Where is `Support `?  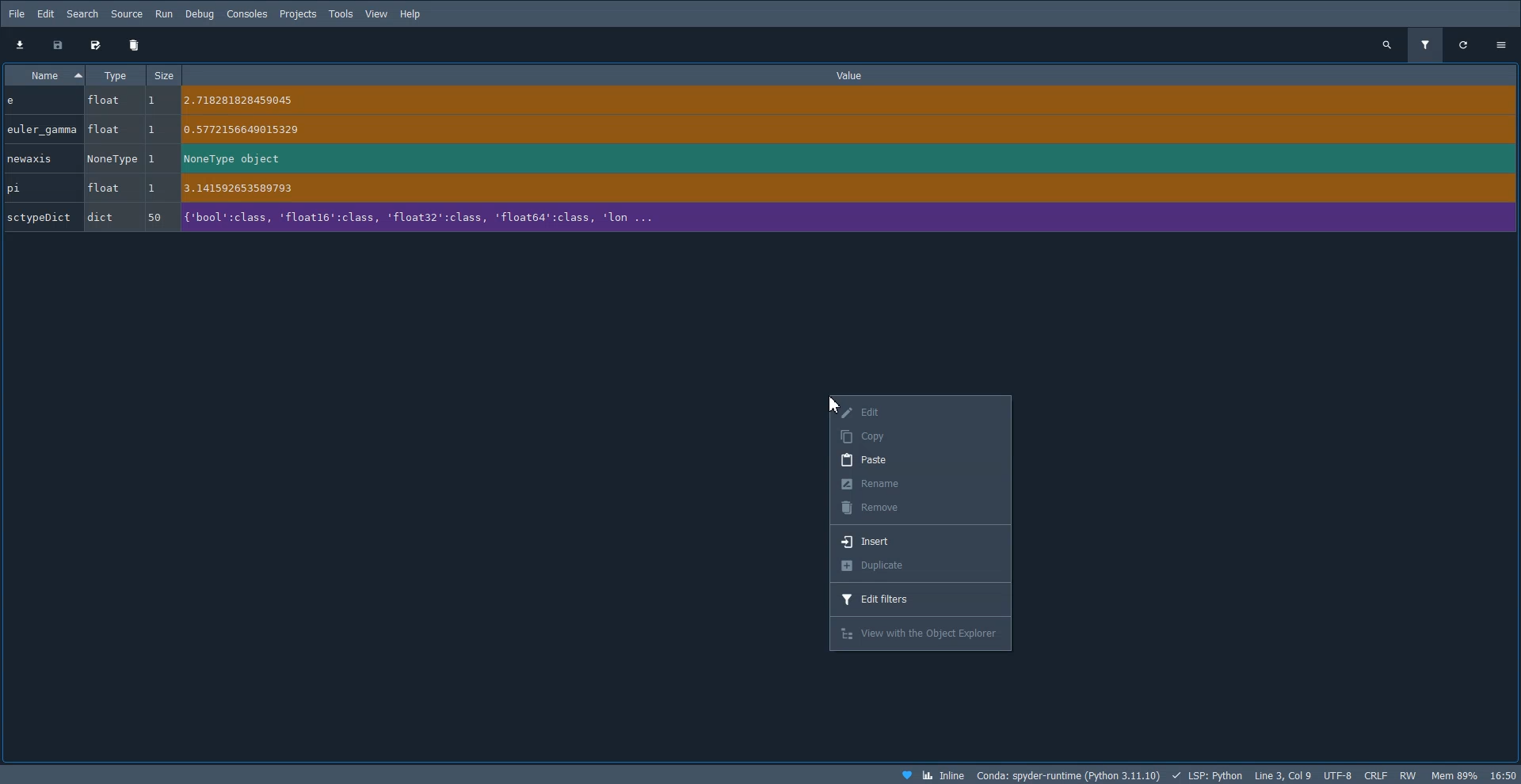
Support  is located at coordinates (906, 774).